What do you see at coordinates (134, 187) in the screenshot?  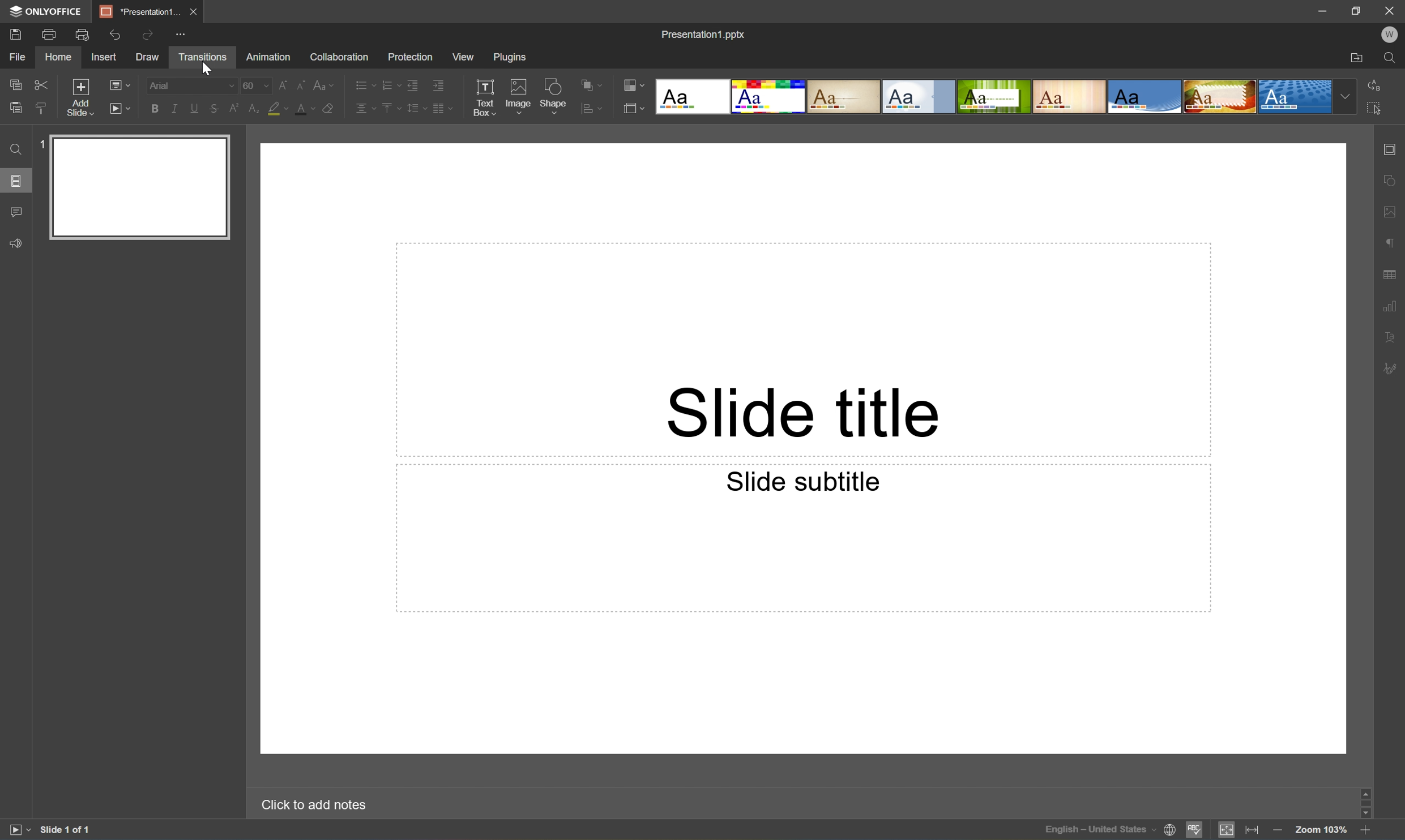 I see `Slide 1` at bounding box center [134, 187].